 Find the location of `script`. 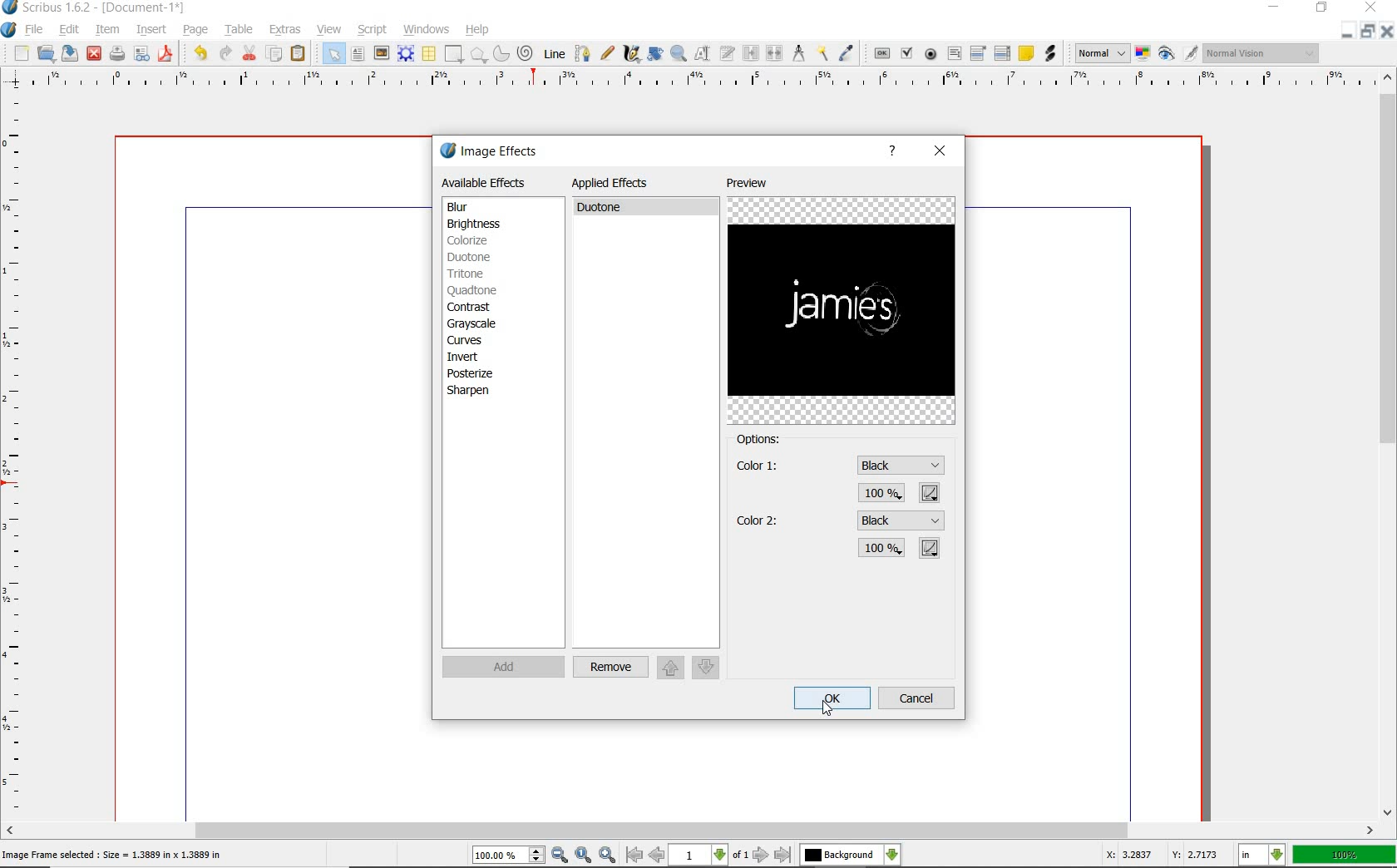

script is located at coordinates (372, 29).